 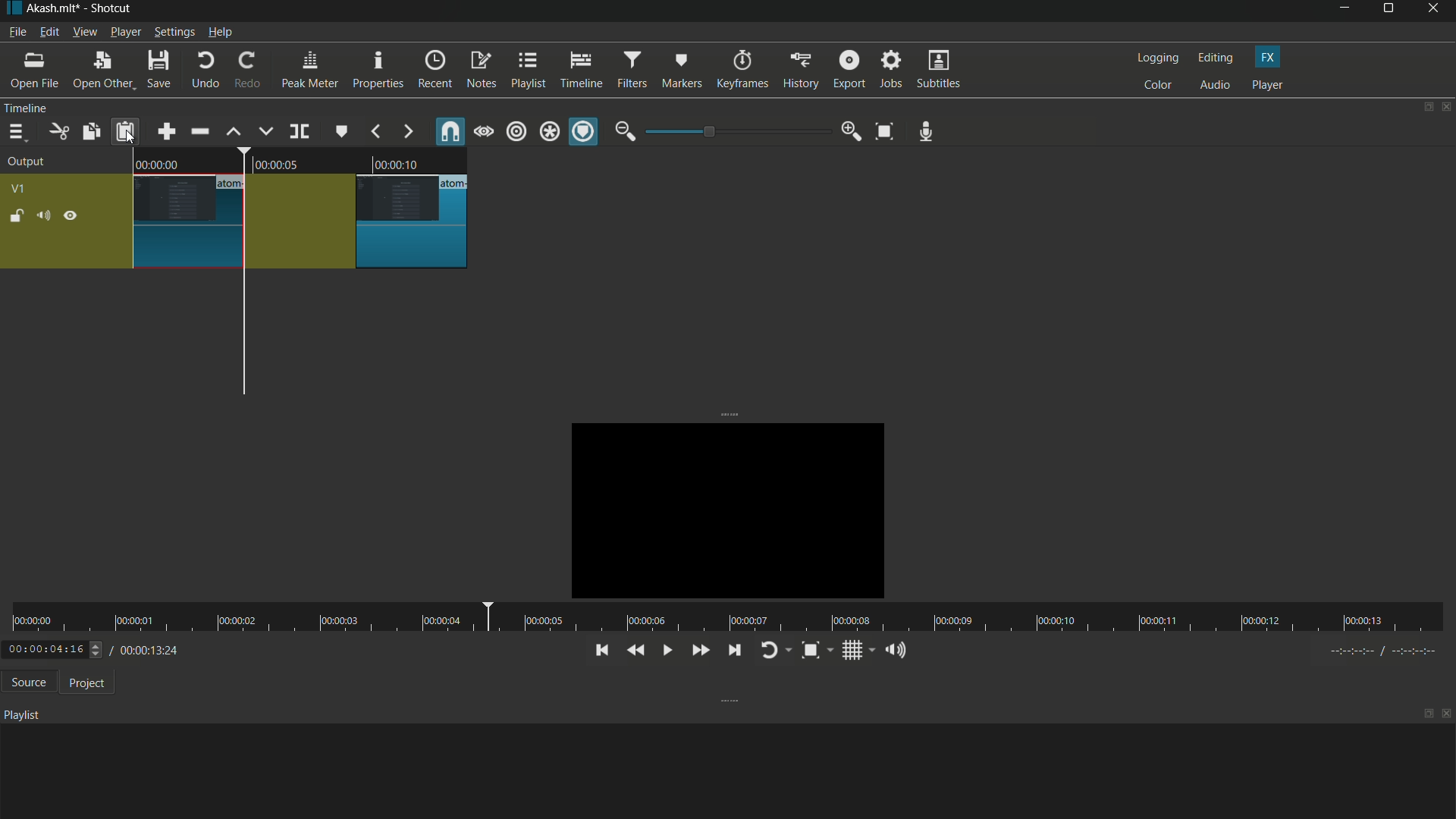 What do you see at coordinates (376, 133) in the screenshot?
I see `previous marker` at bounding box center [376, 133].